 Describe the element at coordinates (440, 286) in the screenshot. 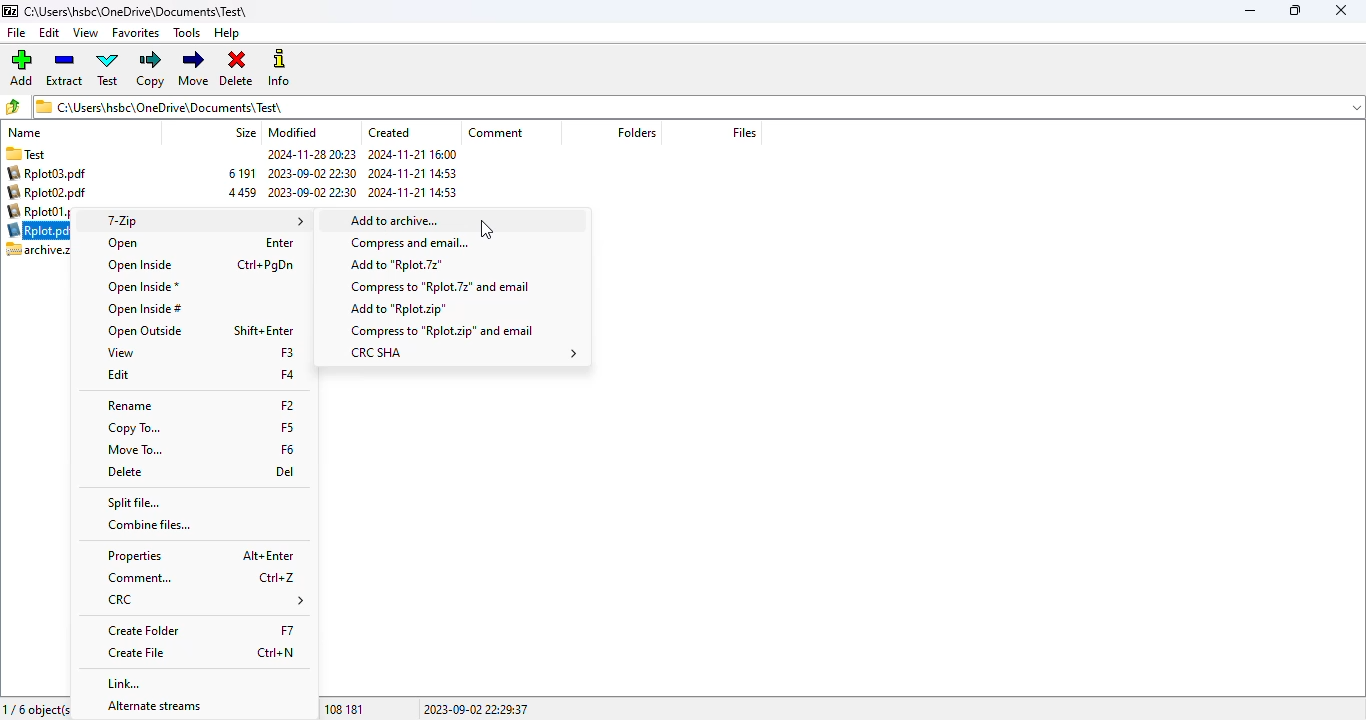

I see `compress to .7z file and email` at that location.